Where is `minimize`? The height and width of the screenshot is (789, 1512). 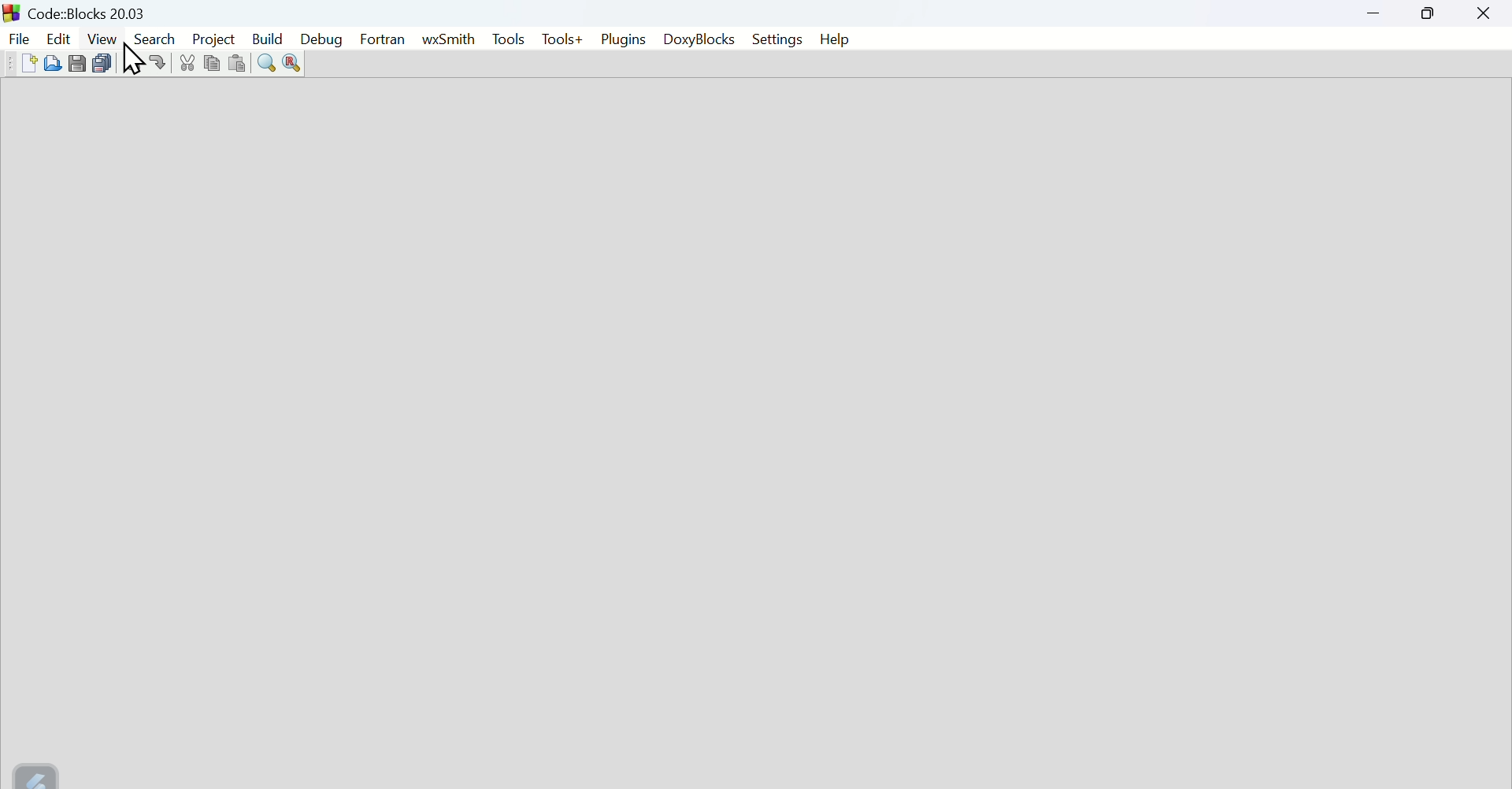 minimize is located at coordinates (1376, 13).